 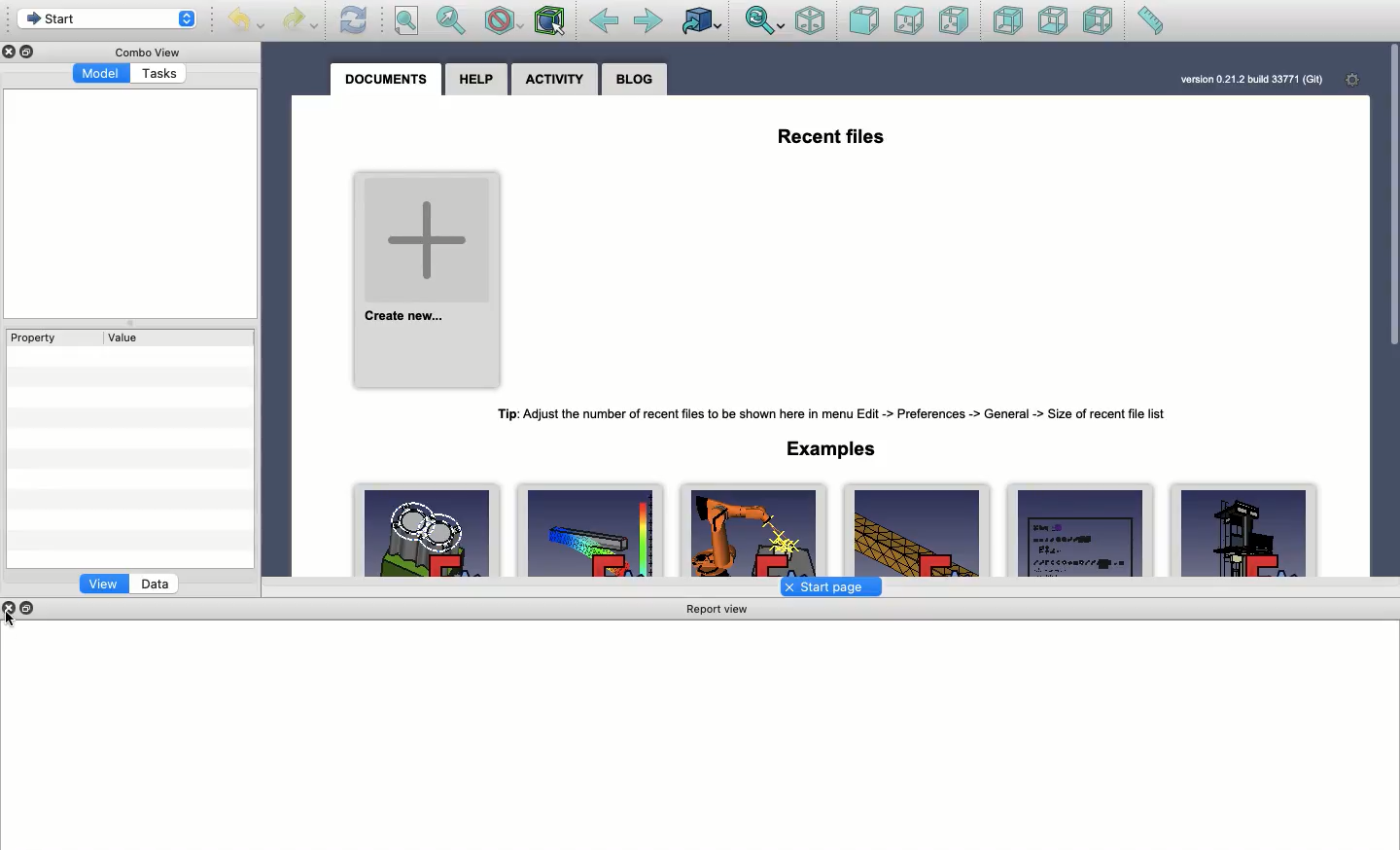 What do you see at coordinates (832, 449) in the screenshot?
I see `Examples` at bounding box center [832, 449].